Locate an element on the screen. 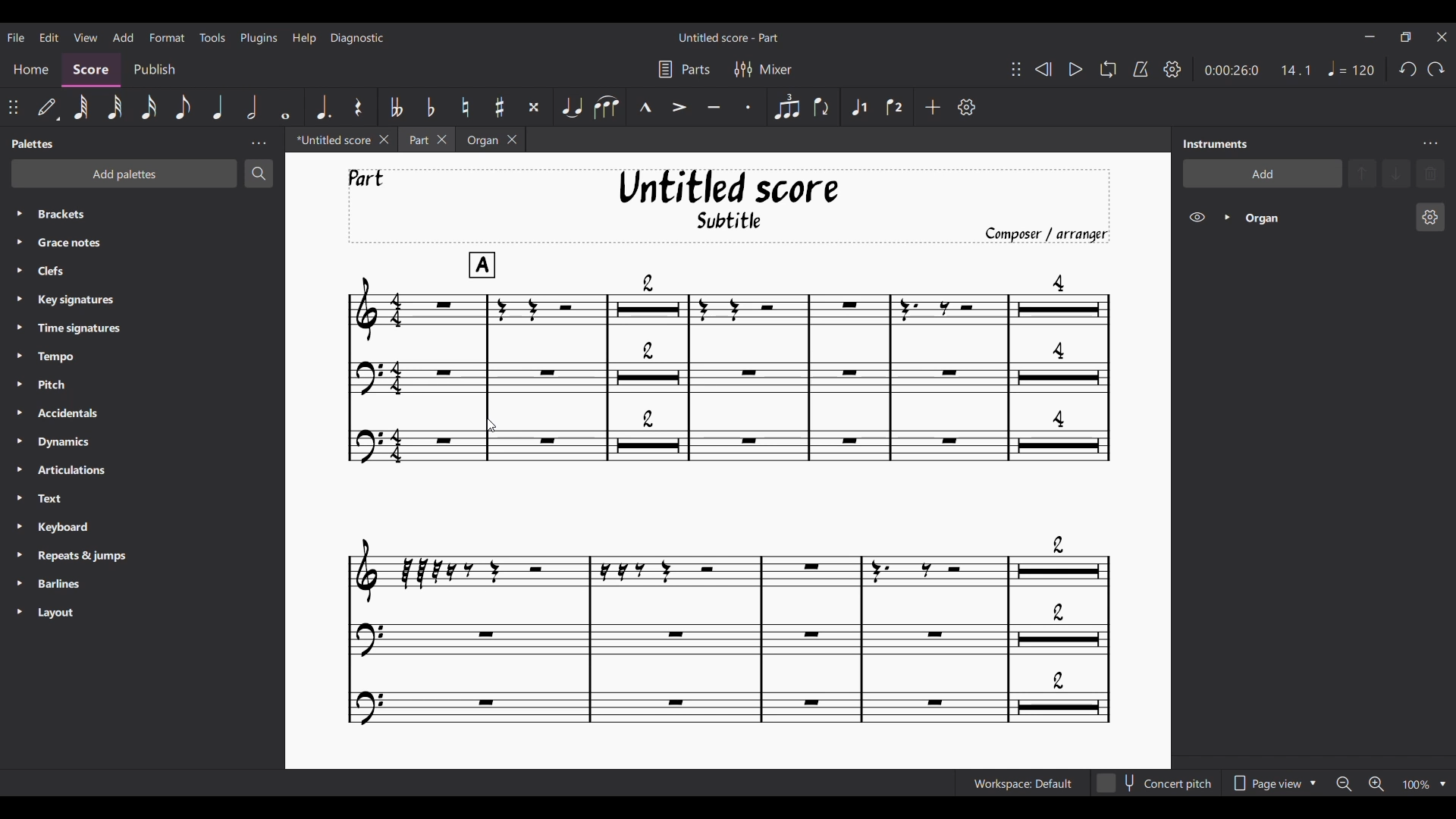 The height and width of the screenshot is (819, 1456). Zoom out is located at coordinates (1343, 784).